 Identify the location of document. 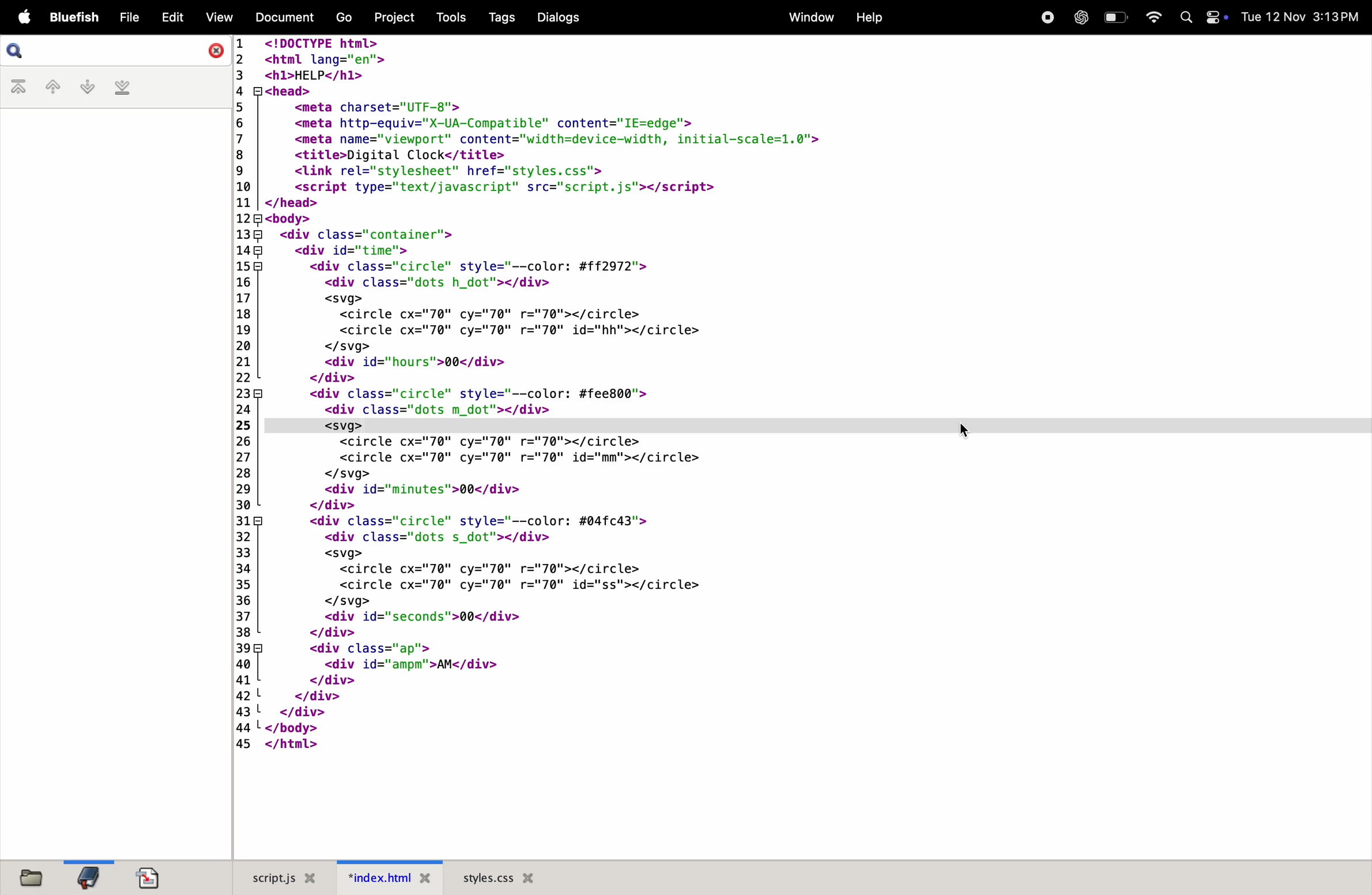
(149, 878).